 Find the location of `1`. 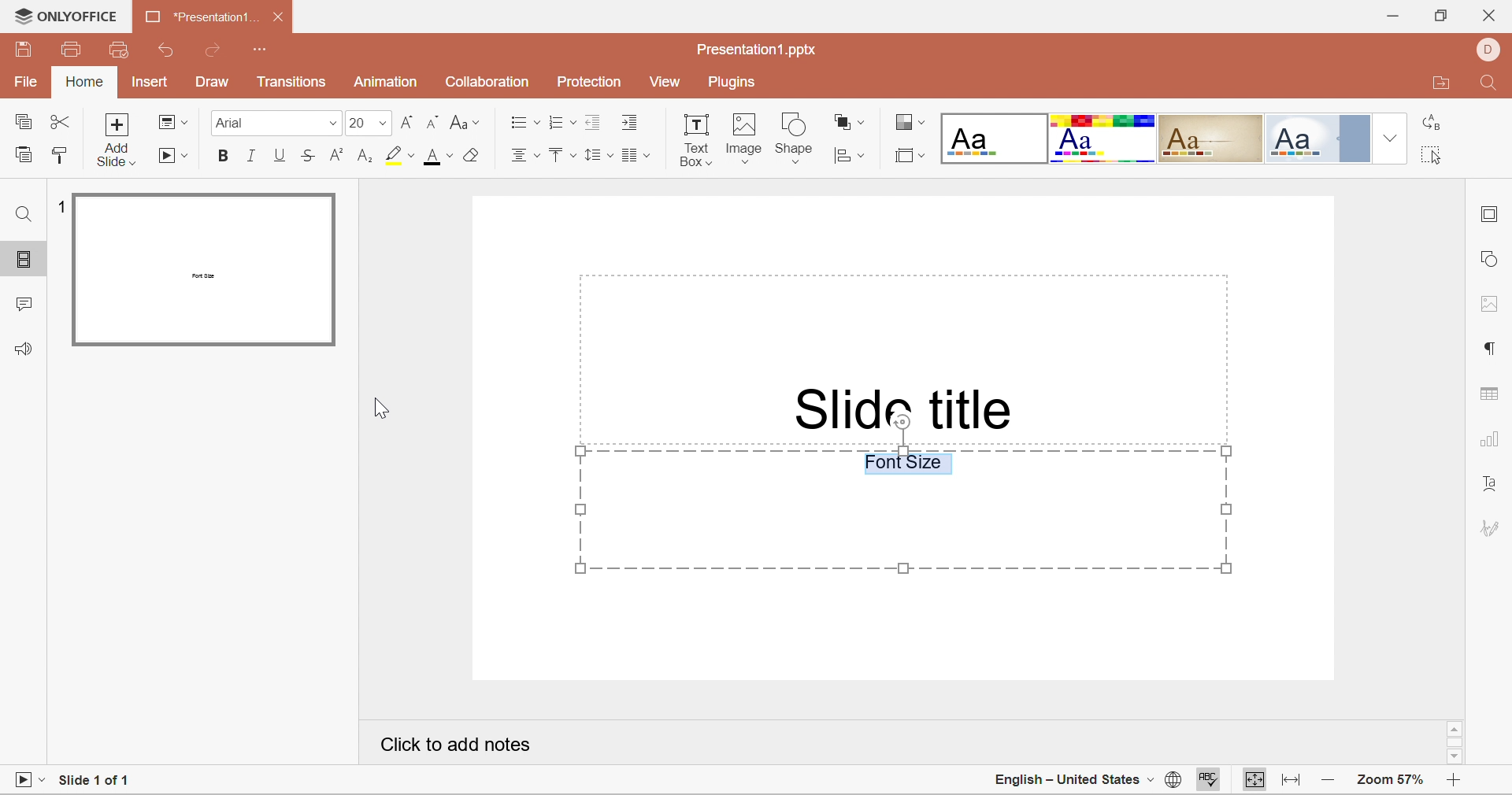

1 is located at coordinates (57, 205).